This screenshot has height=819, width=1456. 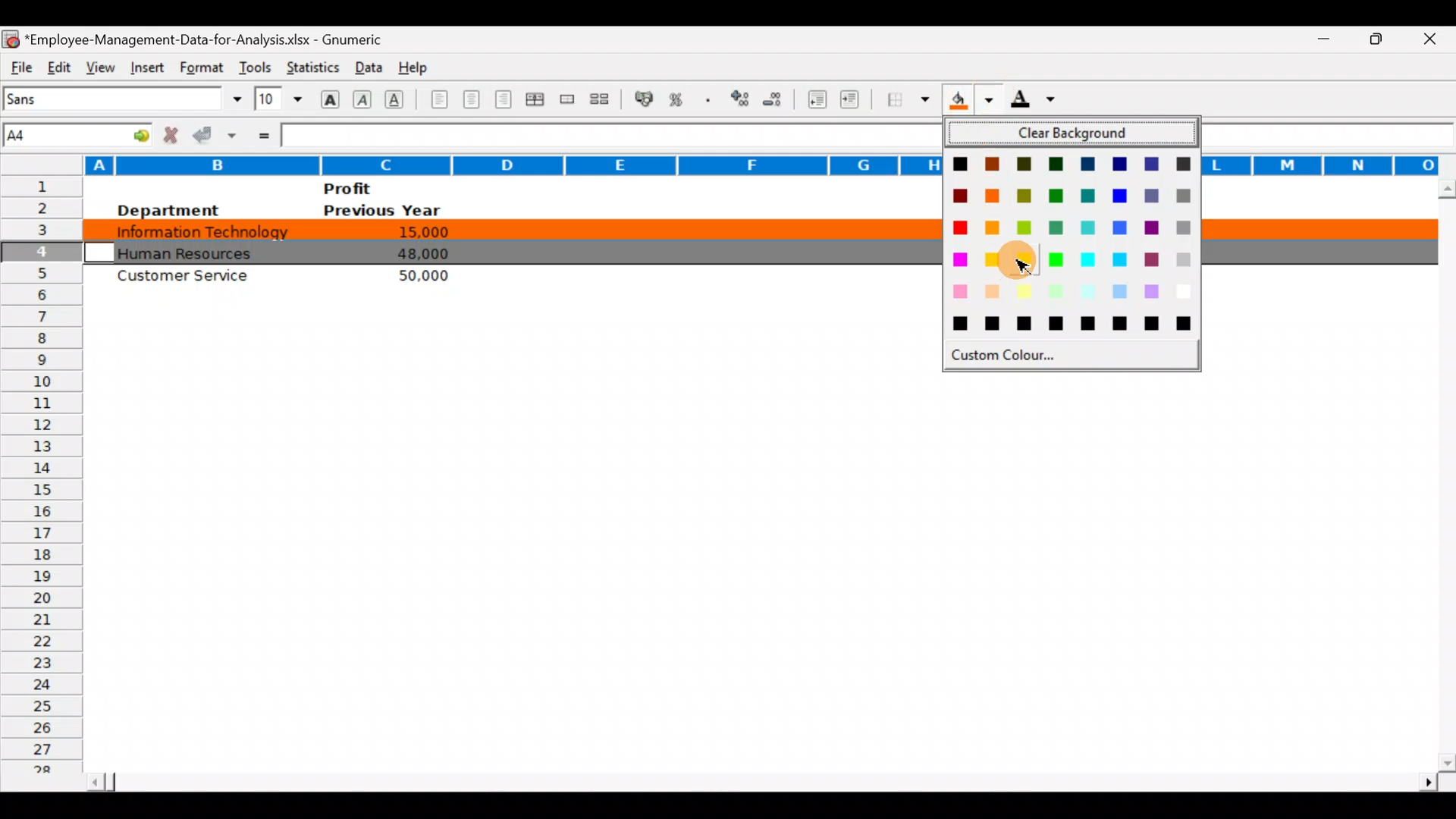 I want to click on 50,000, so click(x=417, y=275).